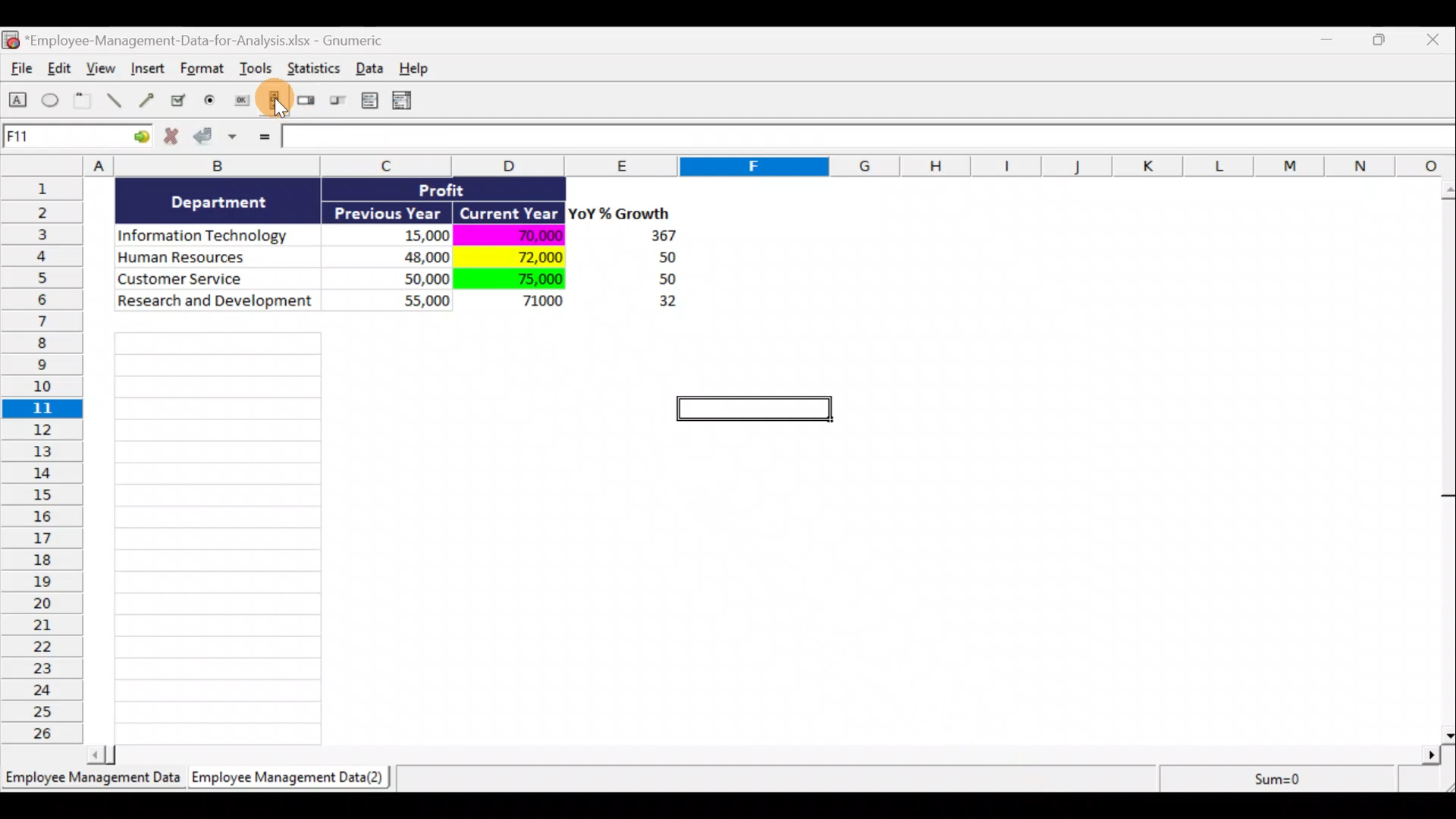 The image size is (1456, 819). What do you see at coordinates (754, 410) in the screenshot?
I see `selected cell` at bounding box center [754, 410].